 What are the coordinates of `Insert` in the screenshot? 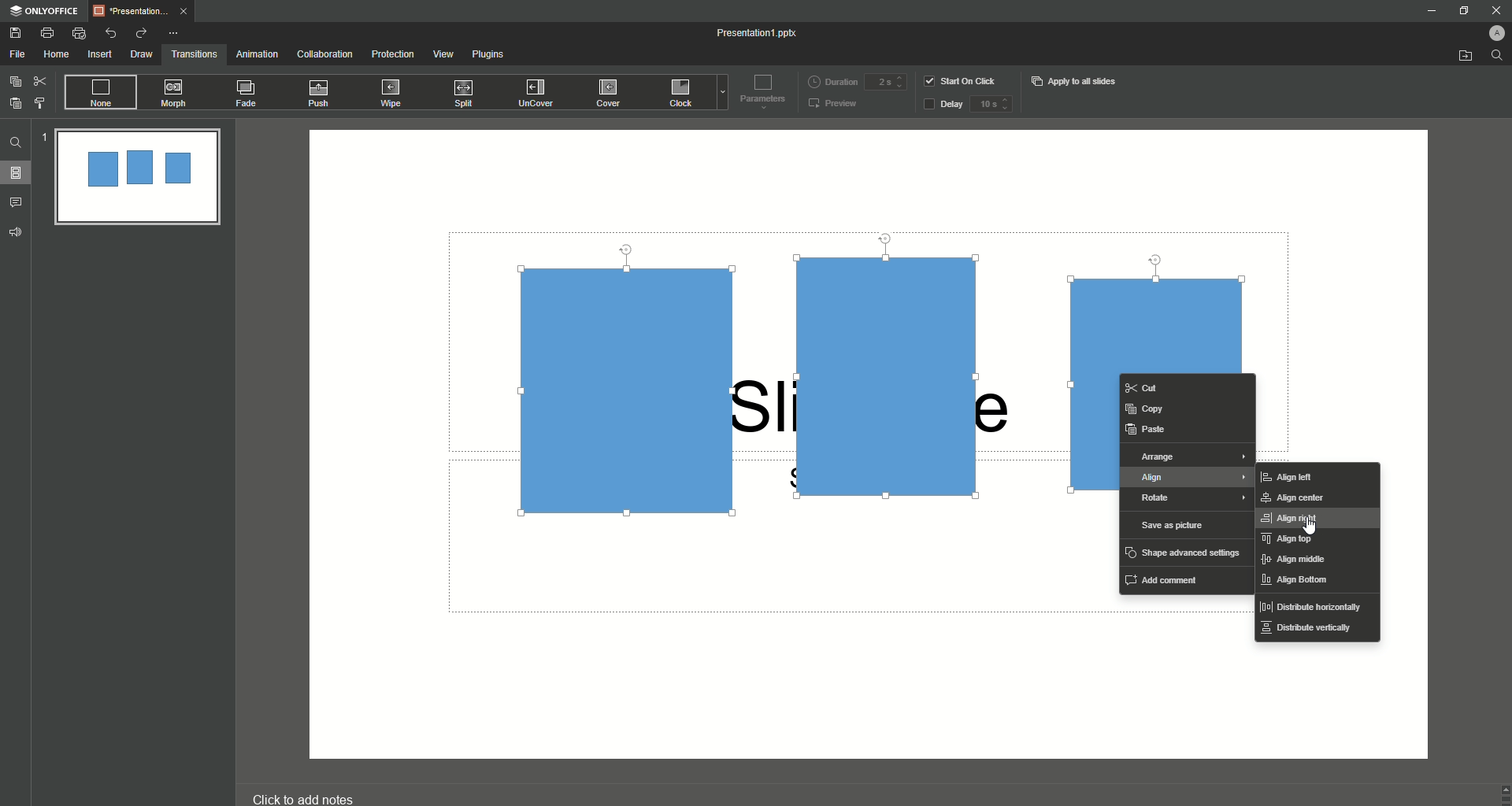 It's located at (99, 55).